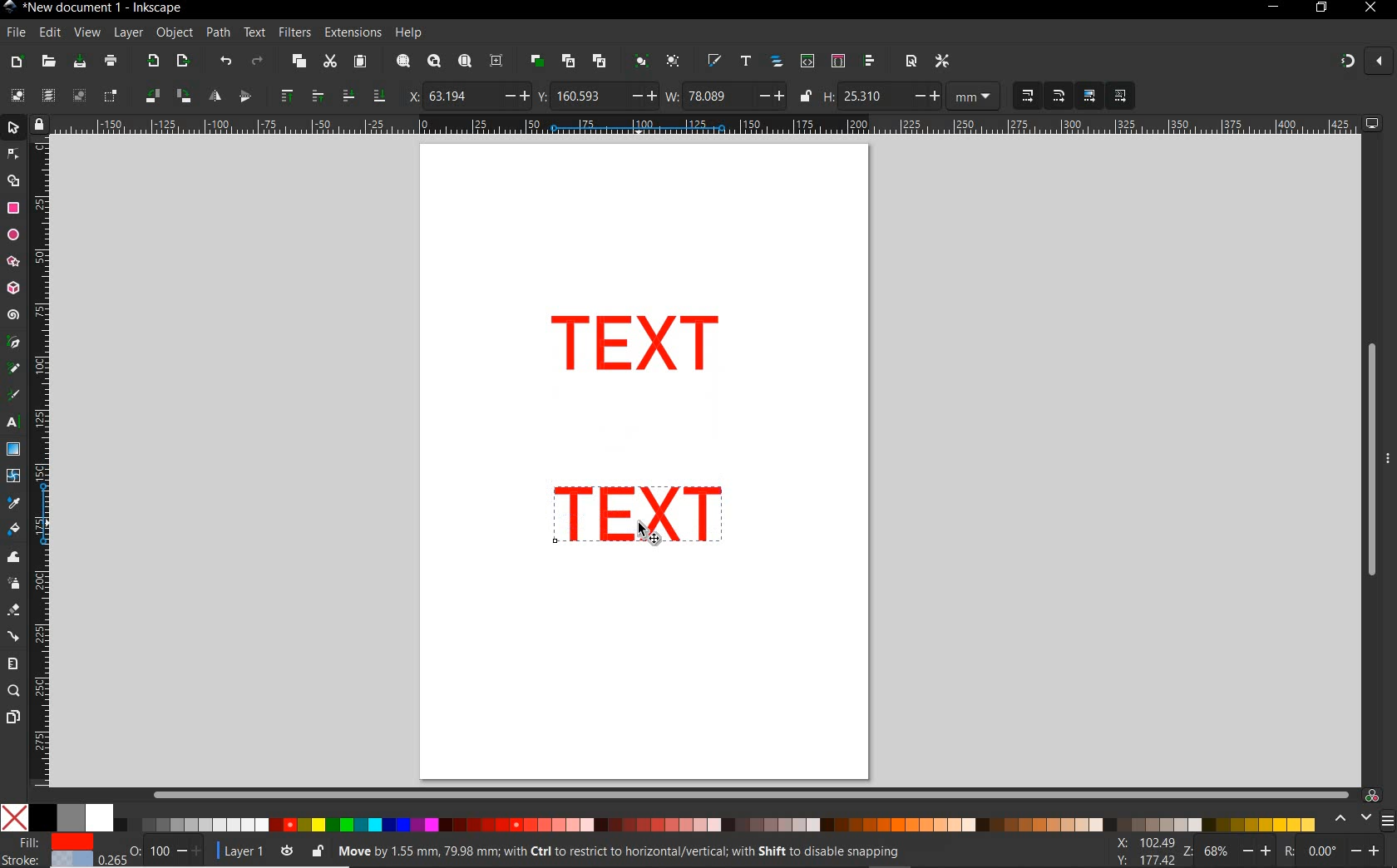  Describe the element at coordinates (362, 96) in the screenshot. I see `lower selection` at that location.